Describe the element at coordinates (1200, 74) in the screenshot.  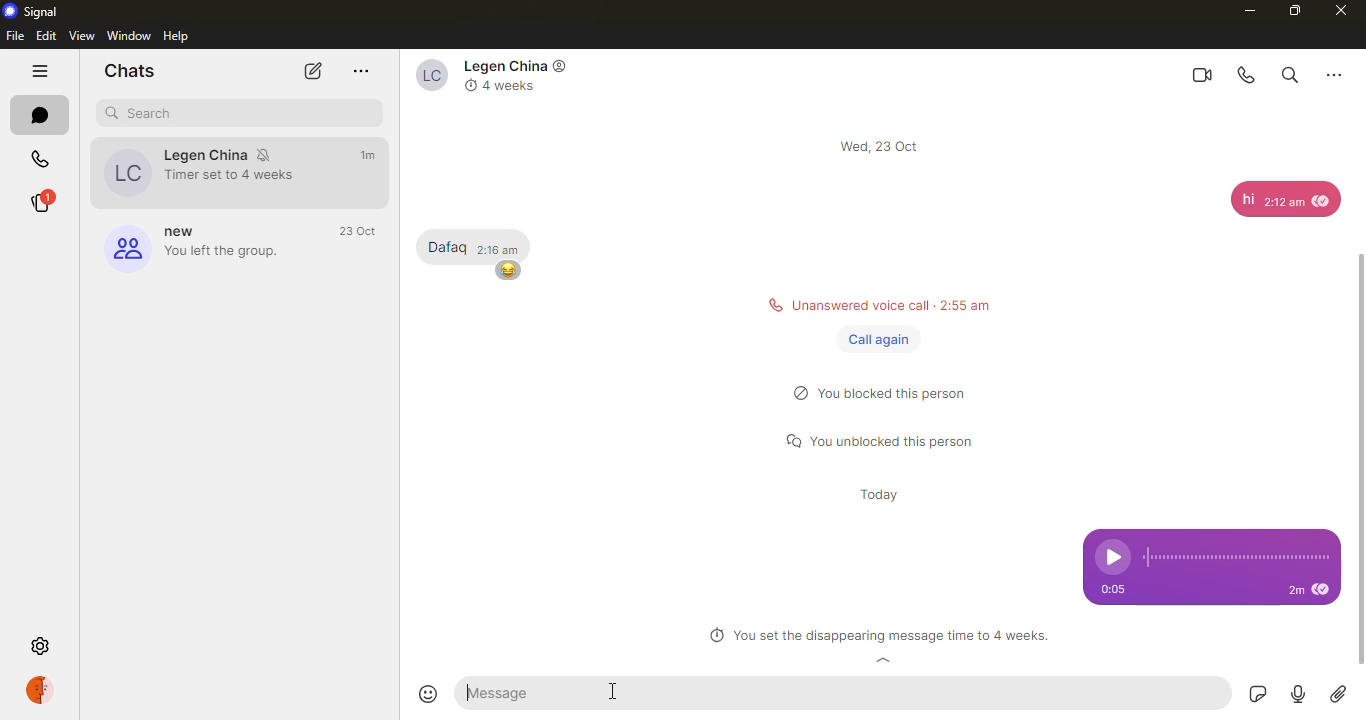
I see `video call` at that location.